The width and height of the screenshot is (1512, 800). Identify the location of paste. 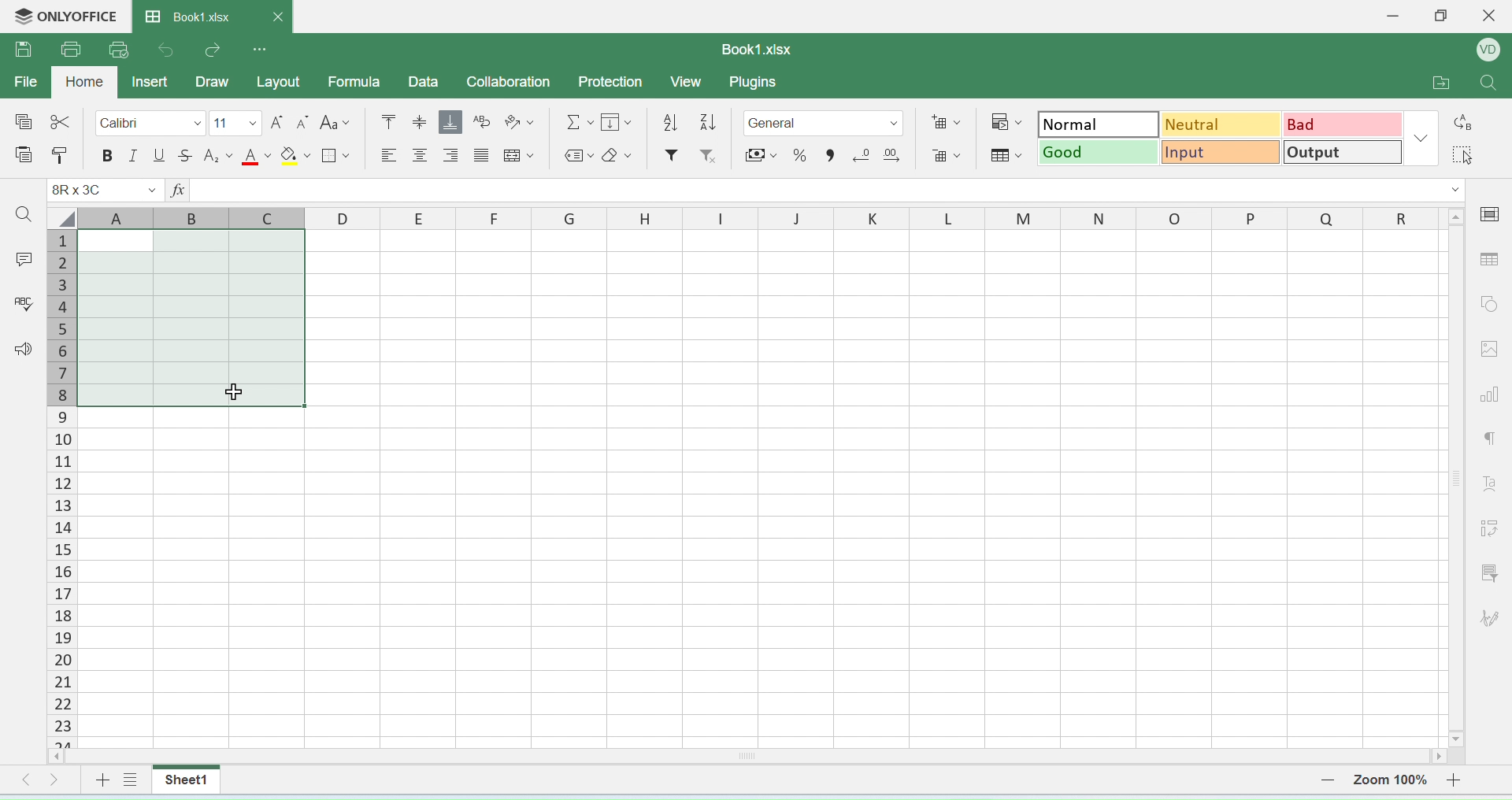
(61, 158).